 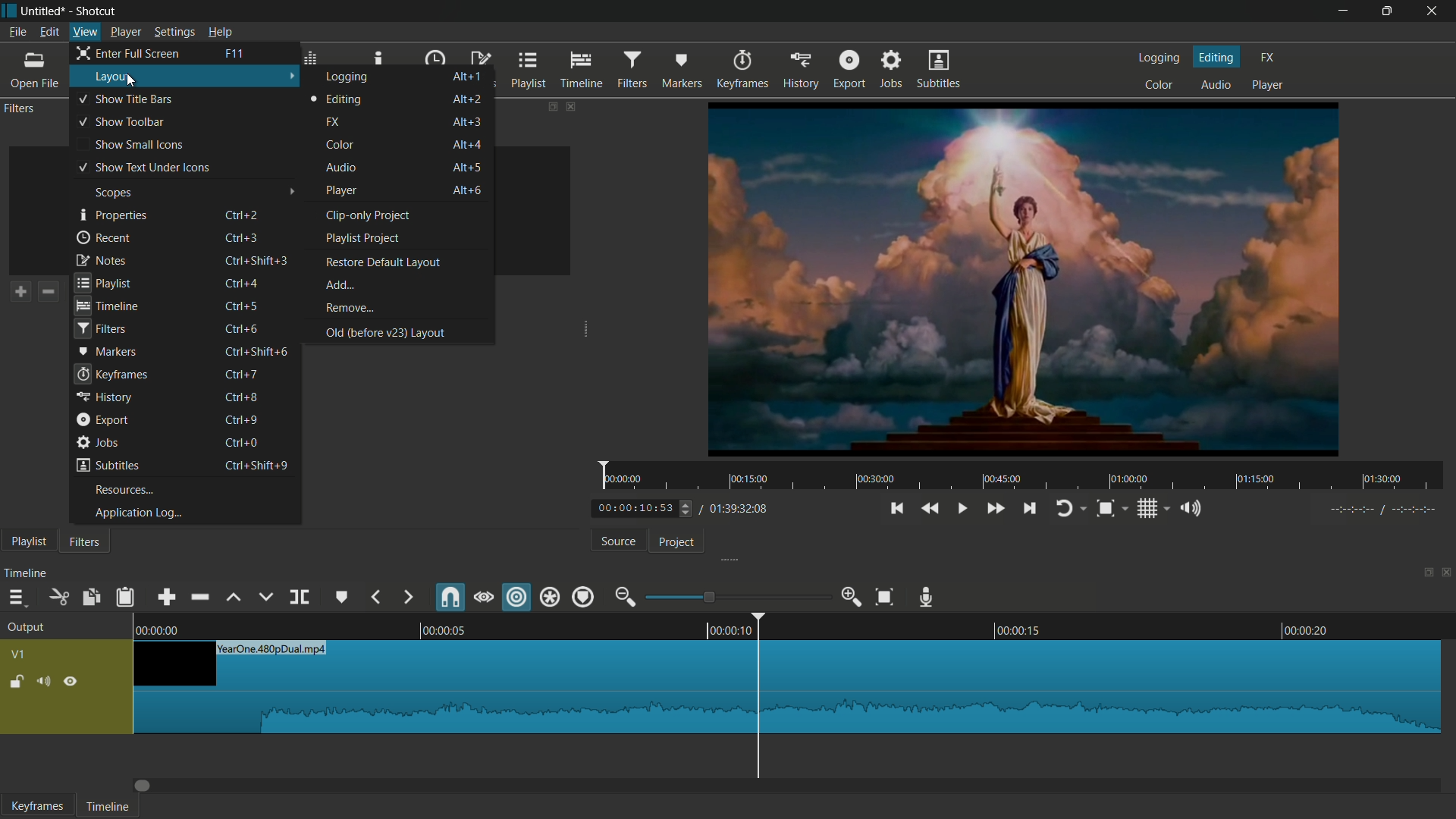 What do you see at coordinates (259, 259) in the screenshot?
I see `keyboard shortcut` at bounding box center [259, 259].